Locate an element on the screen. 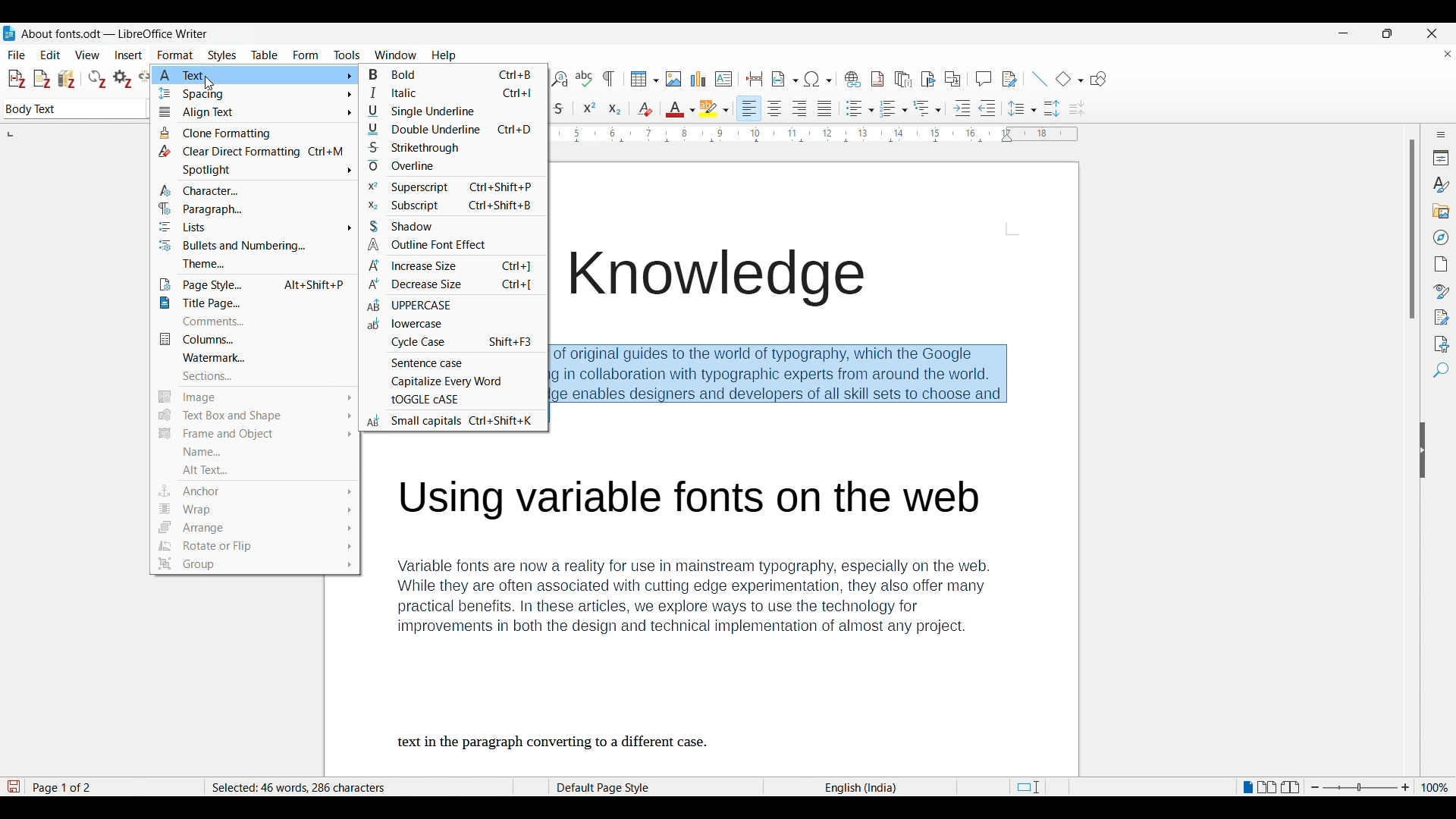 This screenshot has width=1456, height=819. Page is located at coordinates (1442, 264).